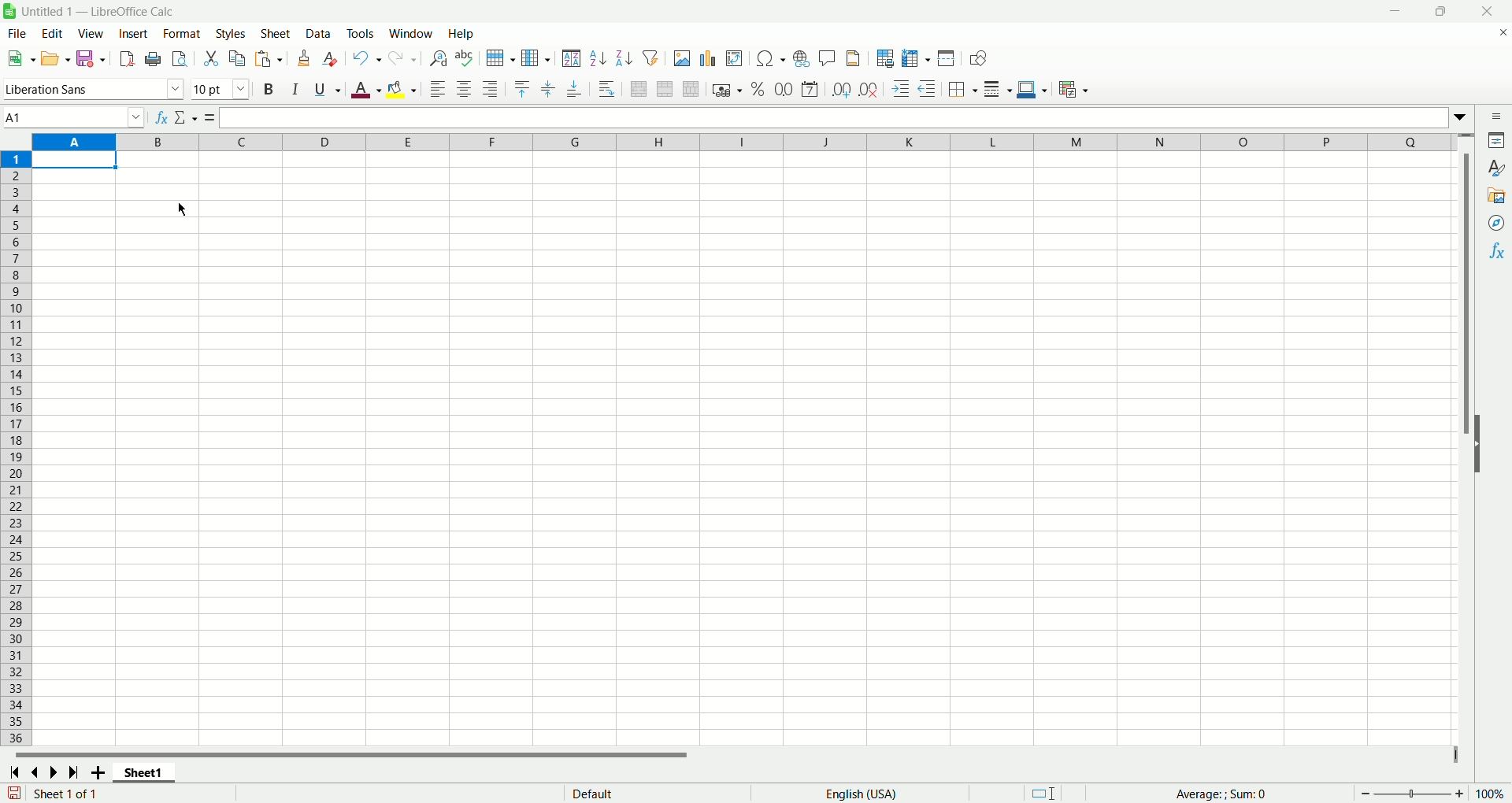 The width and height of the screenshot is (1512, 803). I want to click on insert chart, so click(710, 60).